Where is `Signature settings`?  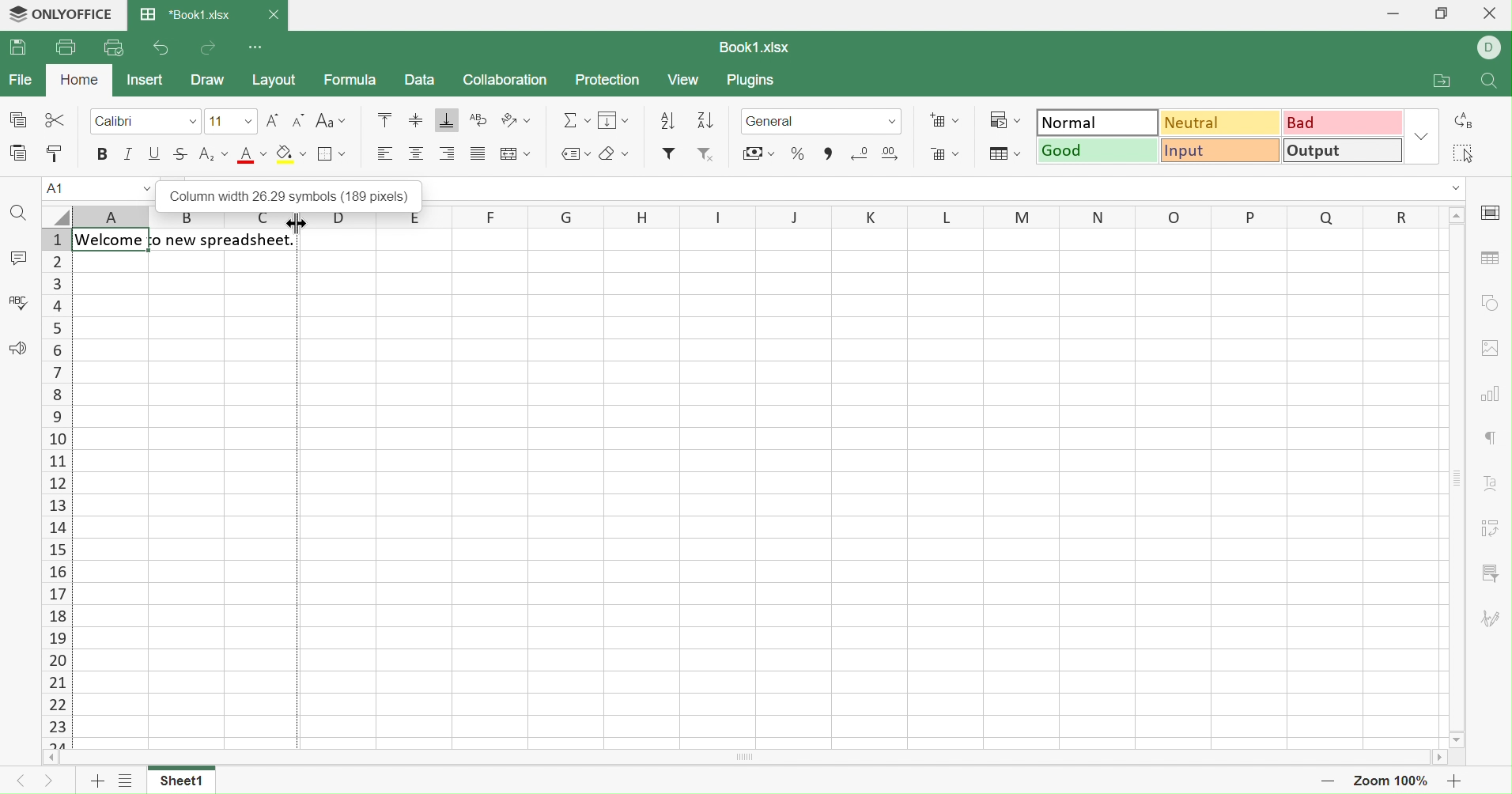
Signature settings is located at coordinates (1491, 621).